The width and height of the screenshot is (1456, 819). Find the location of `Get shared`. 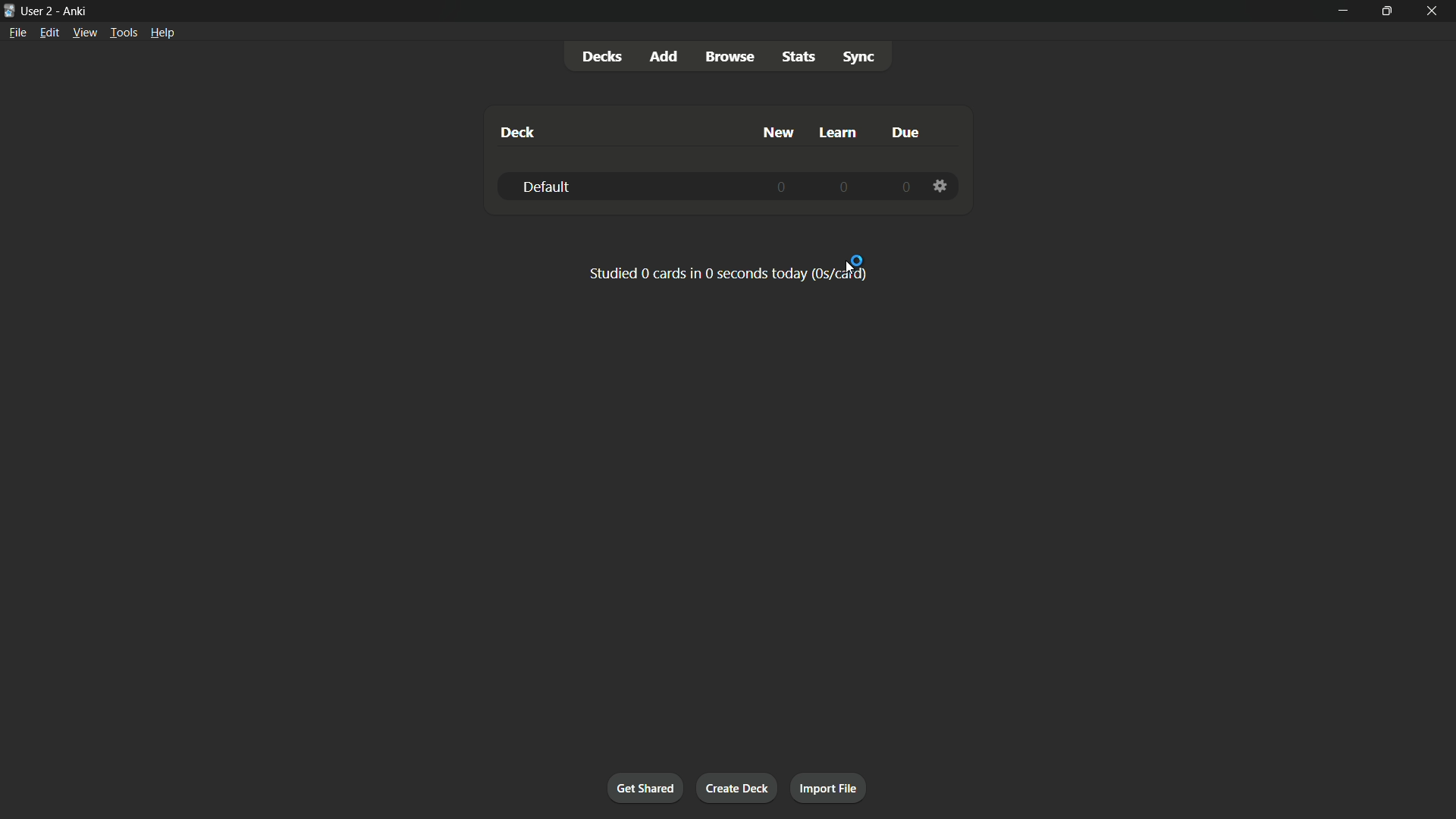

Get shared is located at coordinates (643, 786).